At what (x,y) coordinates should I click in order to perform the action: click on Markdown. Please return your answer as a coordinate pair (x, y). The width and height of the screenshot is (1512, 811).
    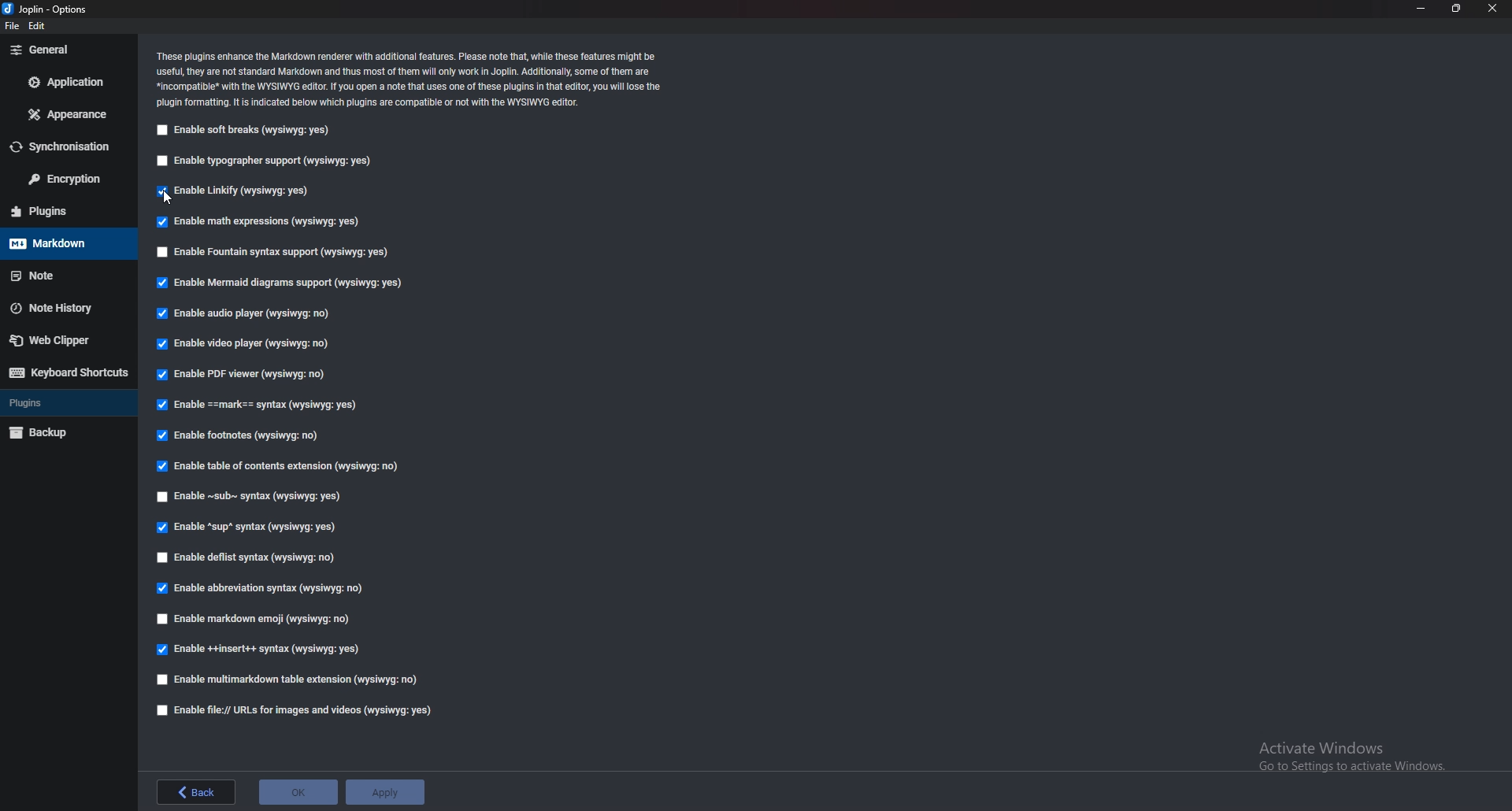
    Looking at the image, I should click on (66, 243).